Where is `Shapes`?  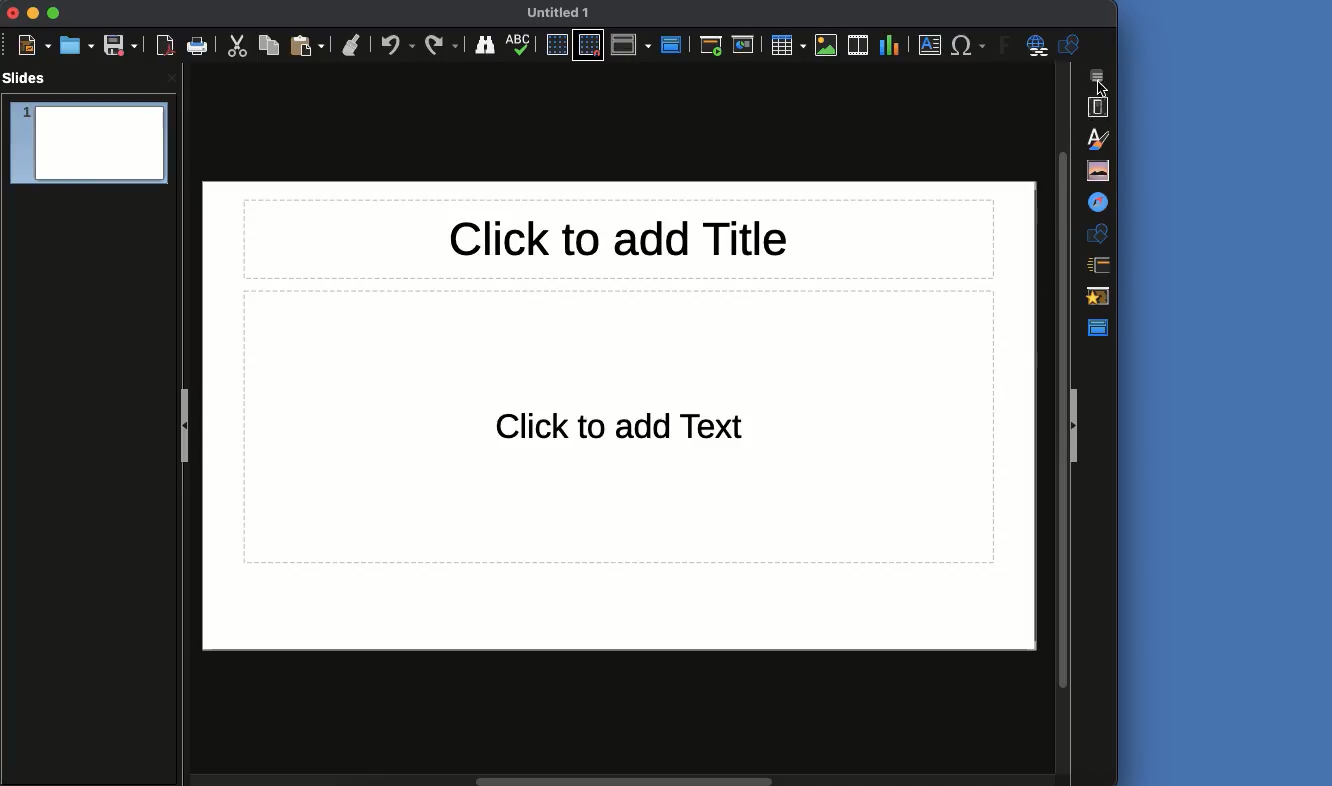 Shapes is located at coordinates (1097, 232).